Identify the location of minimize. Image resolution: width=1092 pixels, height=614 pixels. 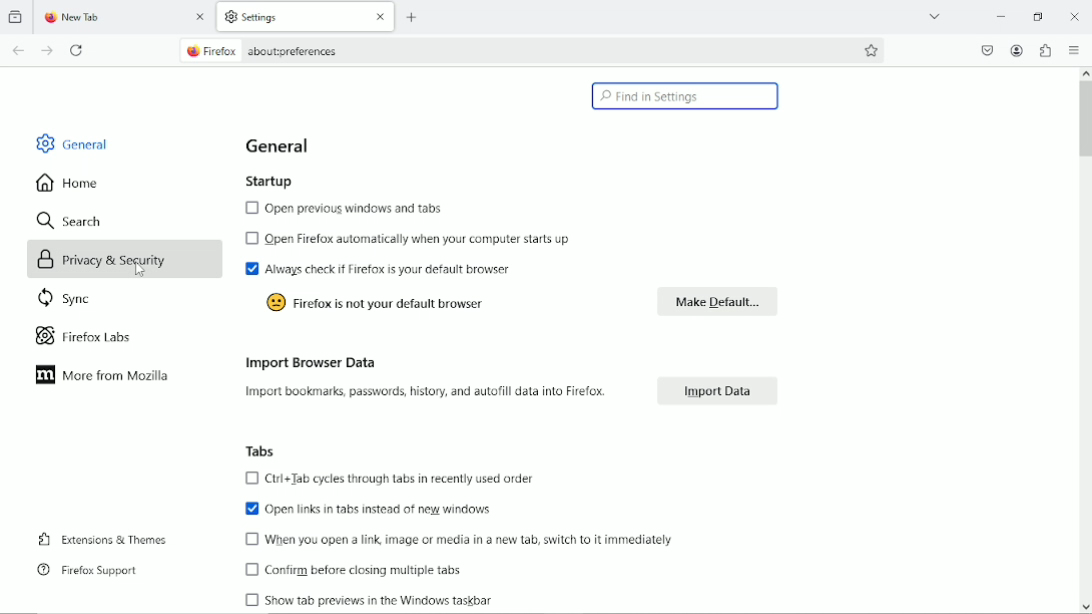
(1001, 15).